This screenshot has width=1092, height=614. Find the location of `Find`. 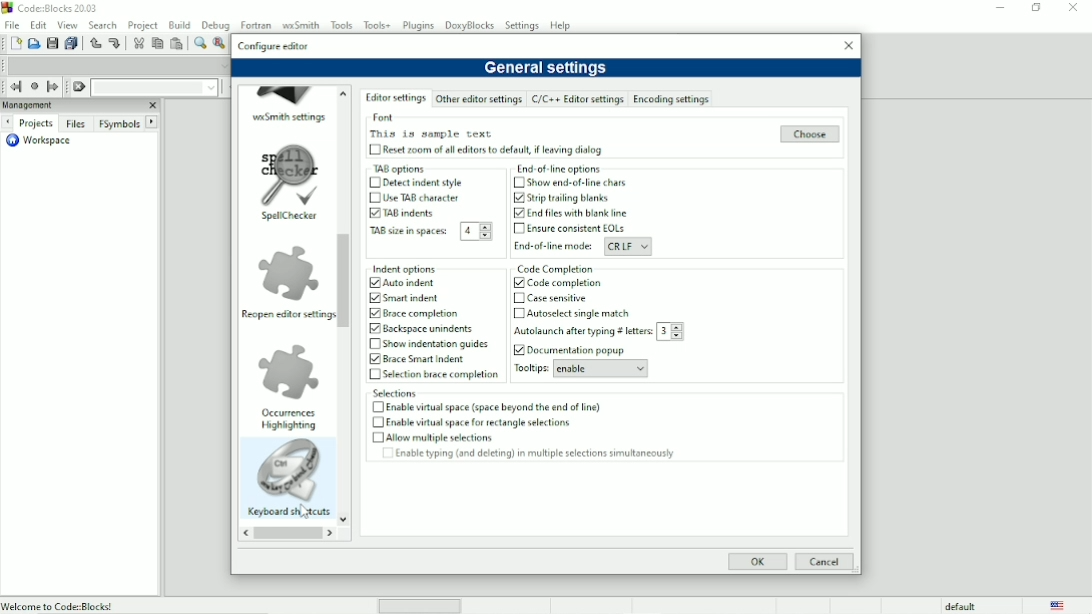

Find is located at coordinates (199, 43).